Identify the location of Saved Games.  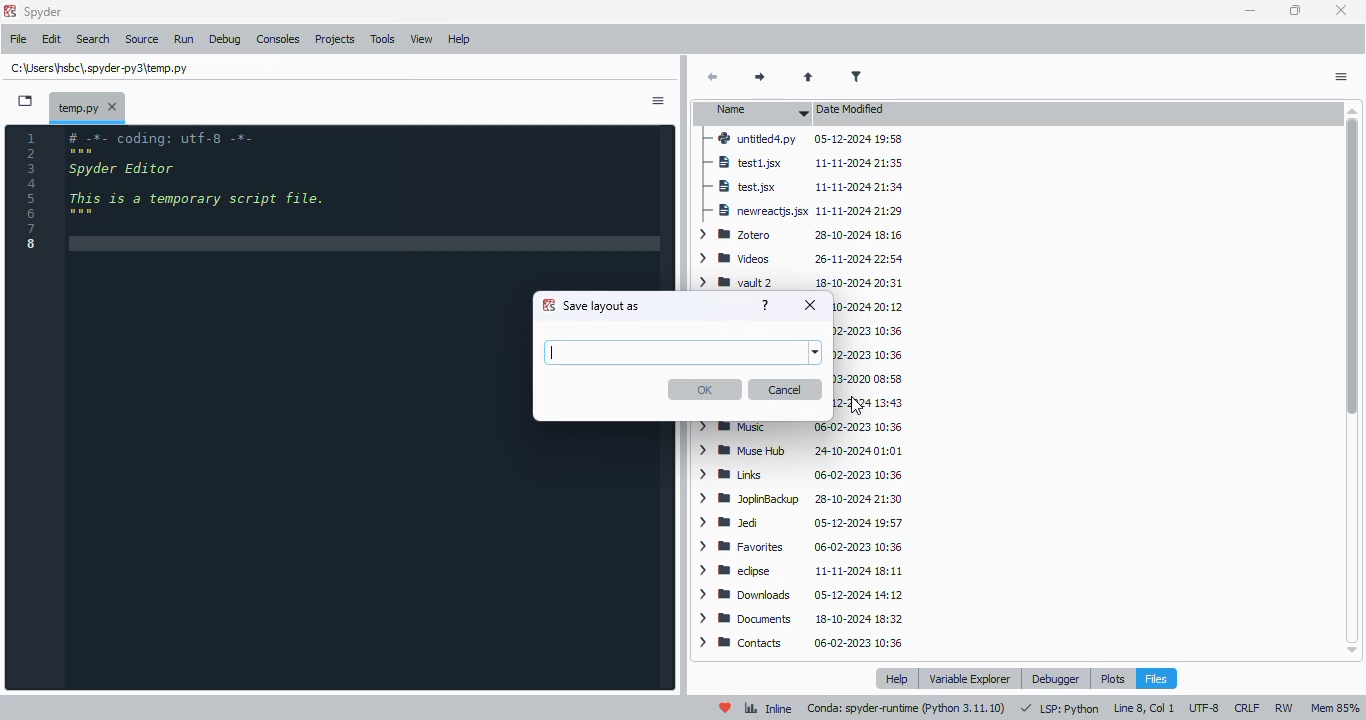
(868, 355).